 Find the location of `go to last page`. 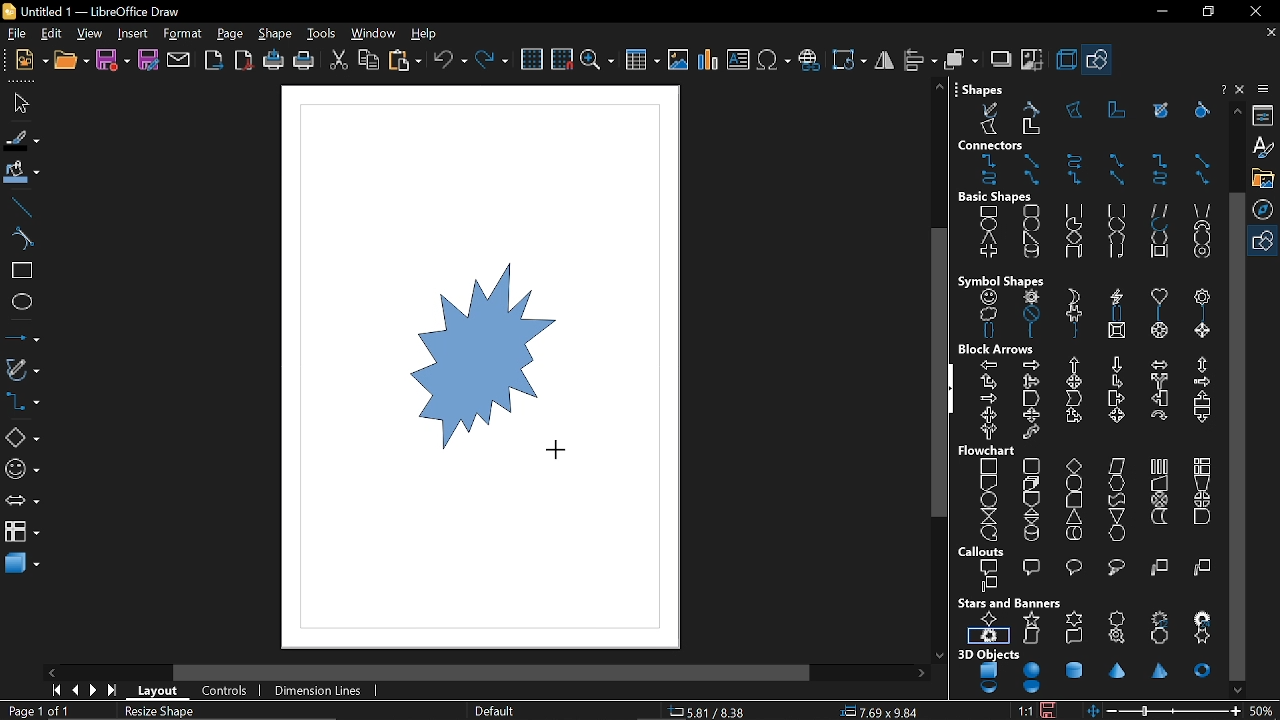

go to last page is located at coordinates (114, 692).